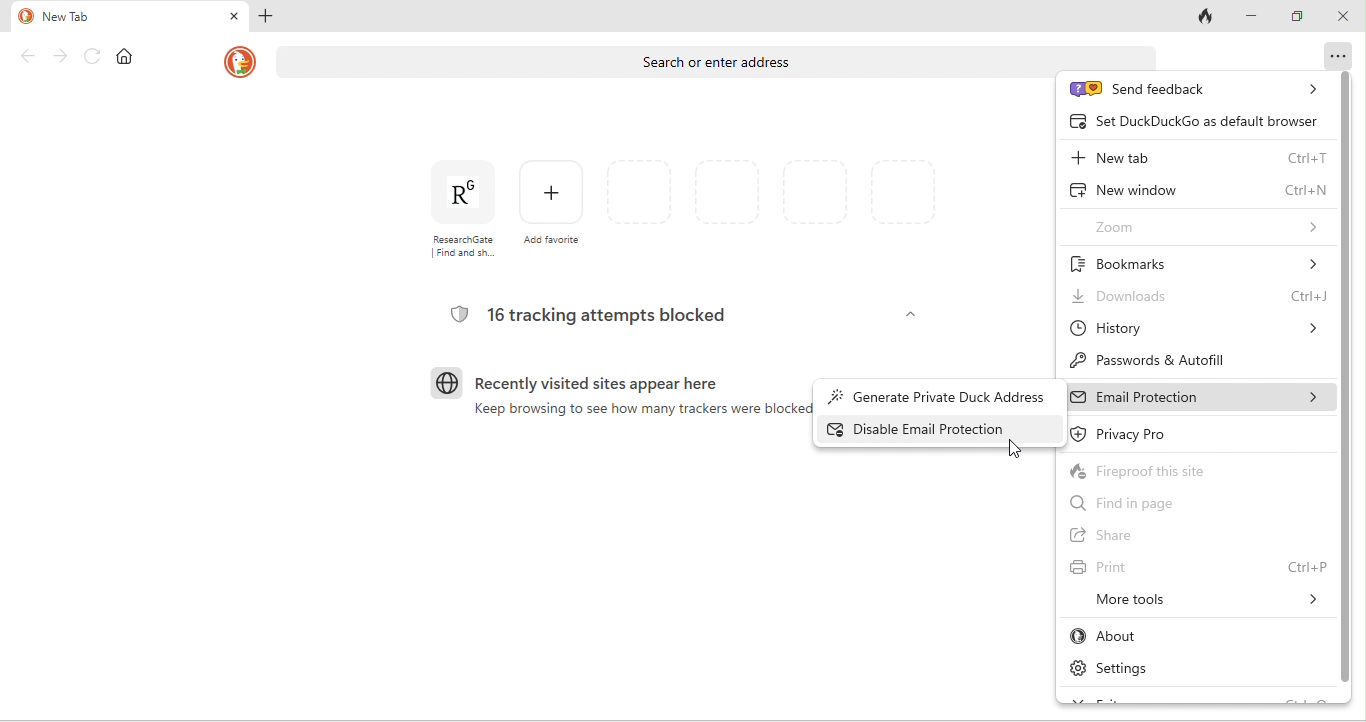 This screenshot has width=1366, height=722. Describe the element at coordinates (1198, 602) in the screenshot. I see `more tools` at that location.